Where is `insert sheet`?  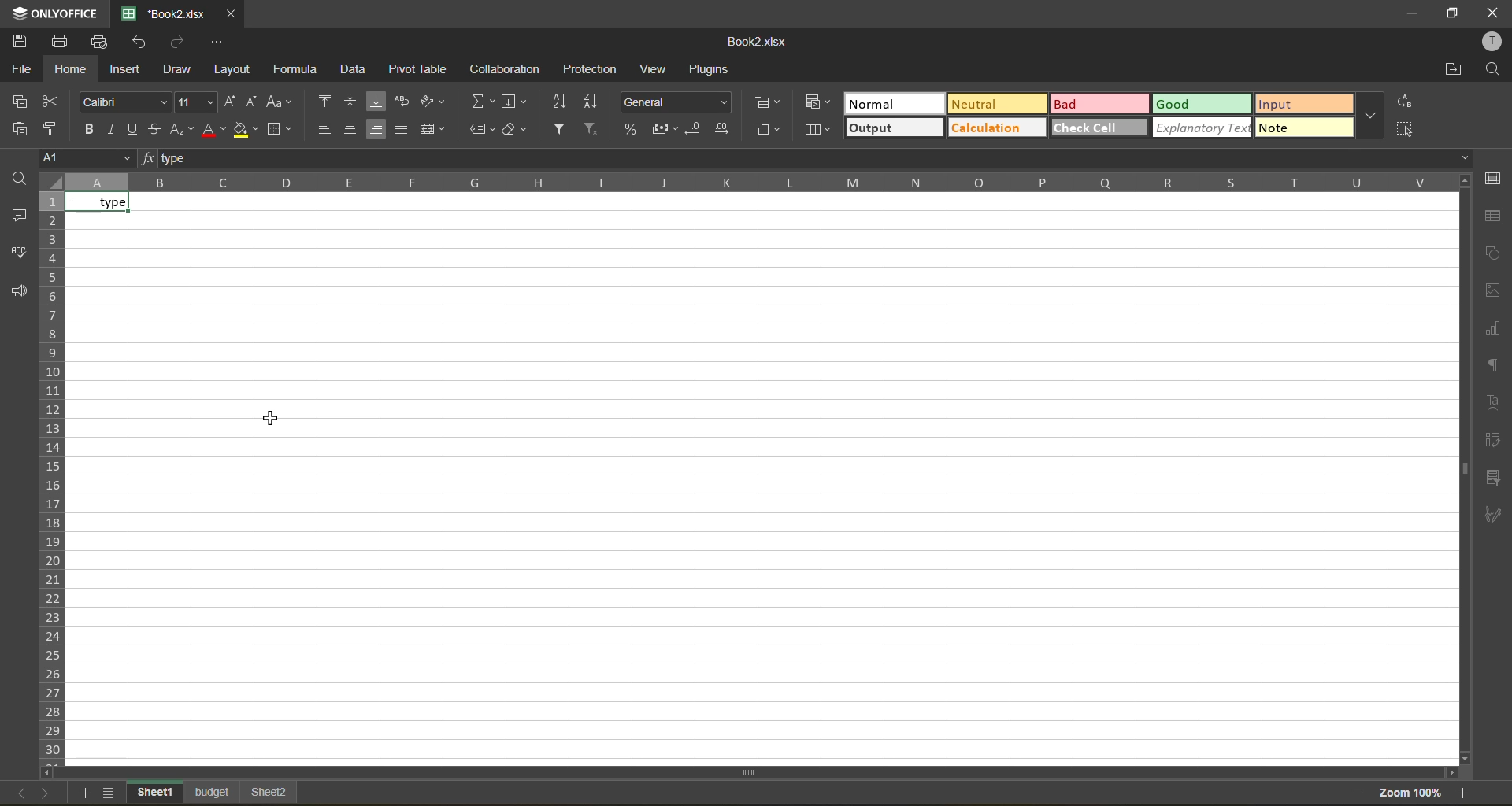 insert sheet is located at coordinates (87, 794).